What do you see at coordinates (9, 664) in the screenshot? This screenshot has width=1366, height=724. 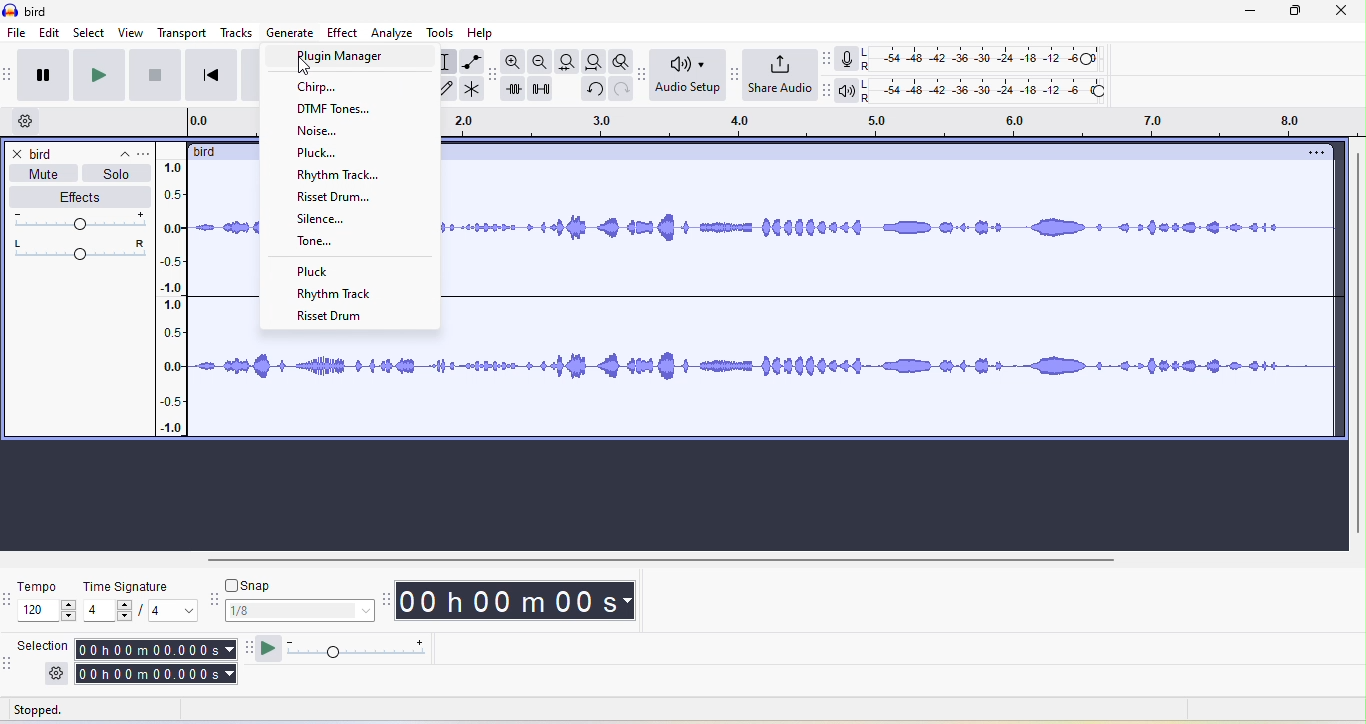 I see `audacity selection toolbar` at bounding box center [9, 664].